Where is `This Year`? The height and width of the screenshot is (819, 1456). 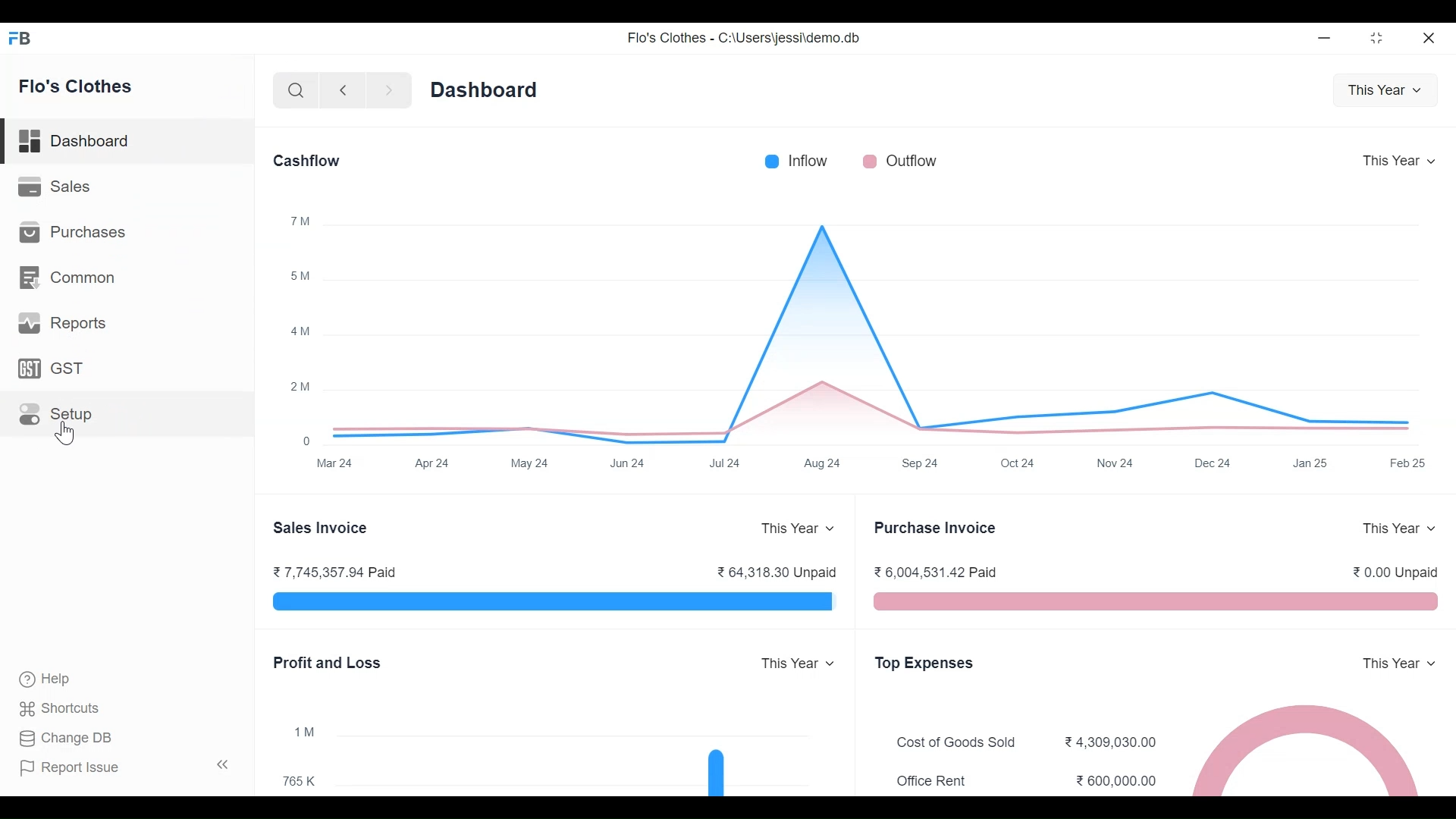
This Year is located at coordinates (1397, 529).